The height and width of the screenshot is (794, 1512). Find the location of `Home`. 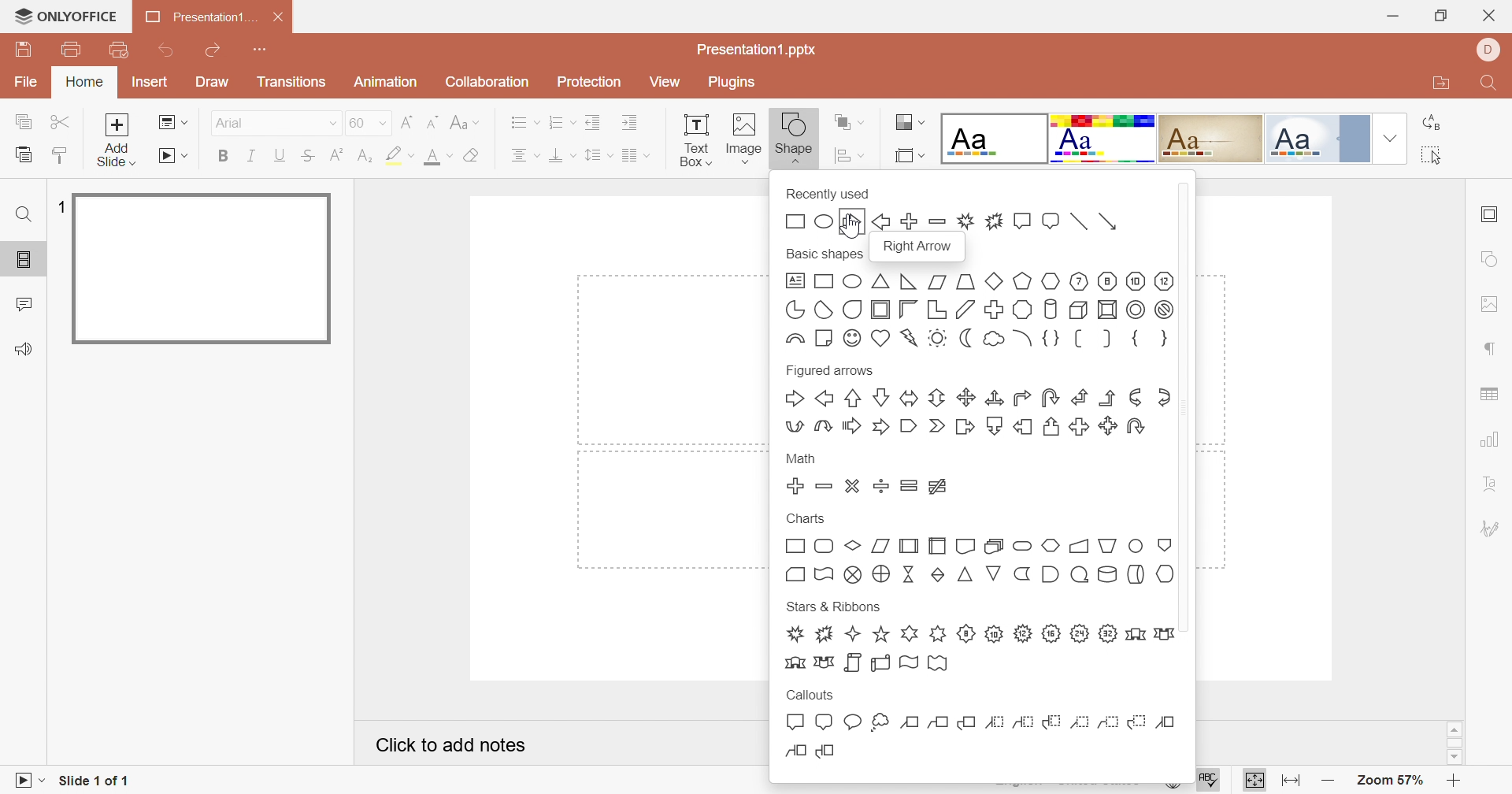

Home is located at coordinates (83, 81).